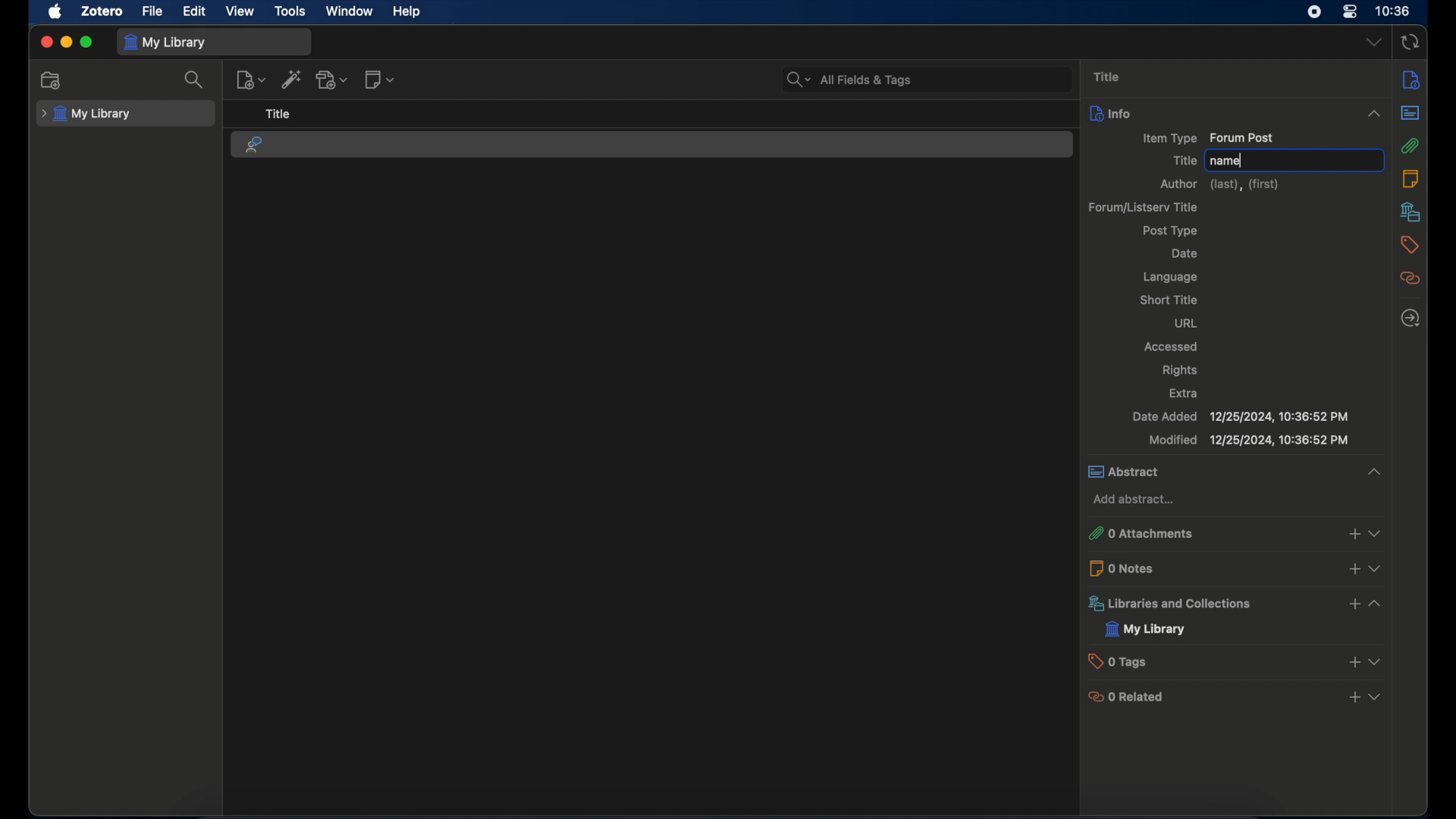 The width and height of the screenshot is (1456, 819). What do you see at coordinates (290, 11) in the screenshot?
I see `tools` at bounding box center [290, 11].